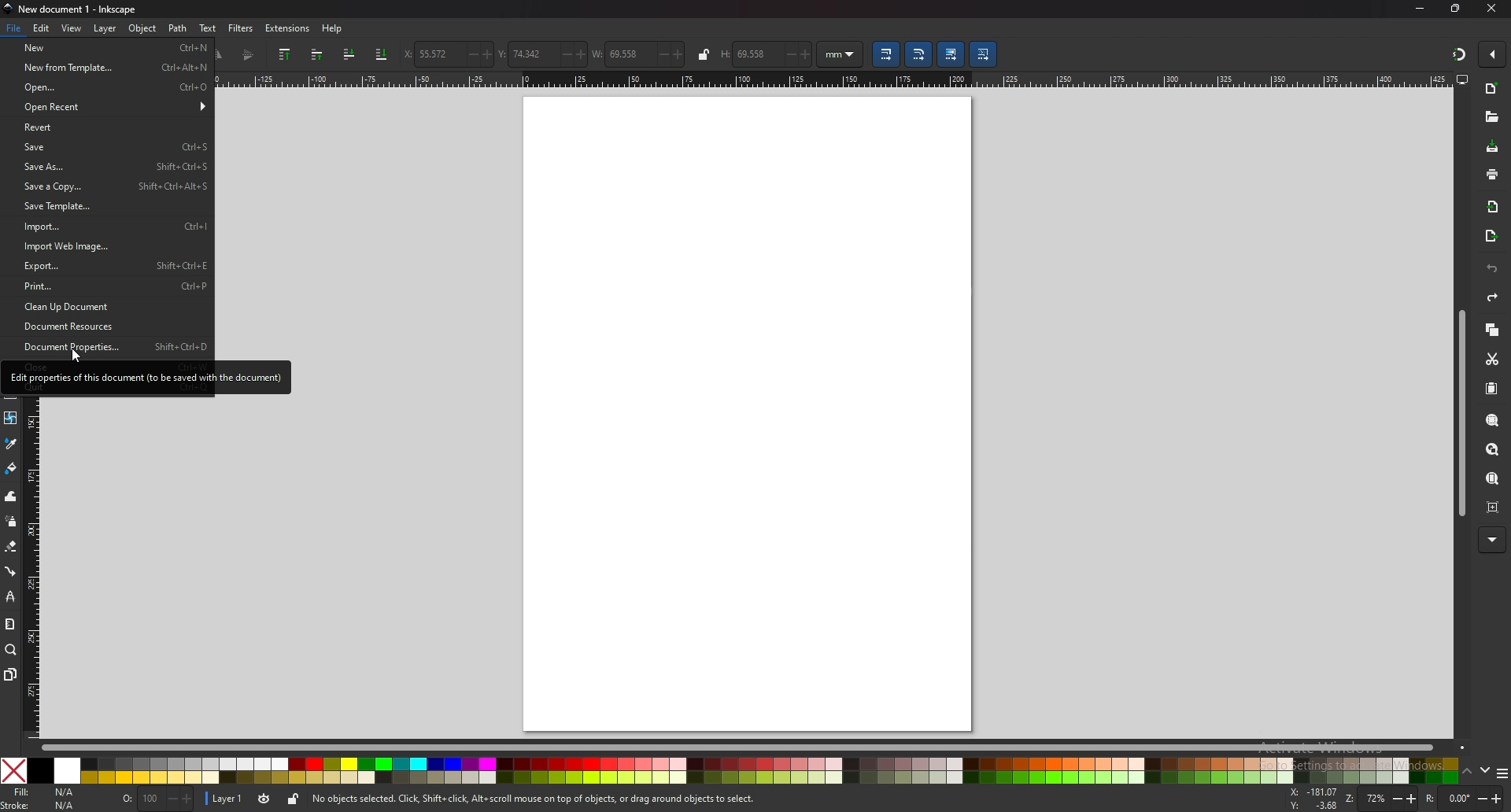 Image resolution: width=1511 pixels, height=812 pixels. I want to click on export, so click(105, 267).